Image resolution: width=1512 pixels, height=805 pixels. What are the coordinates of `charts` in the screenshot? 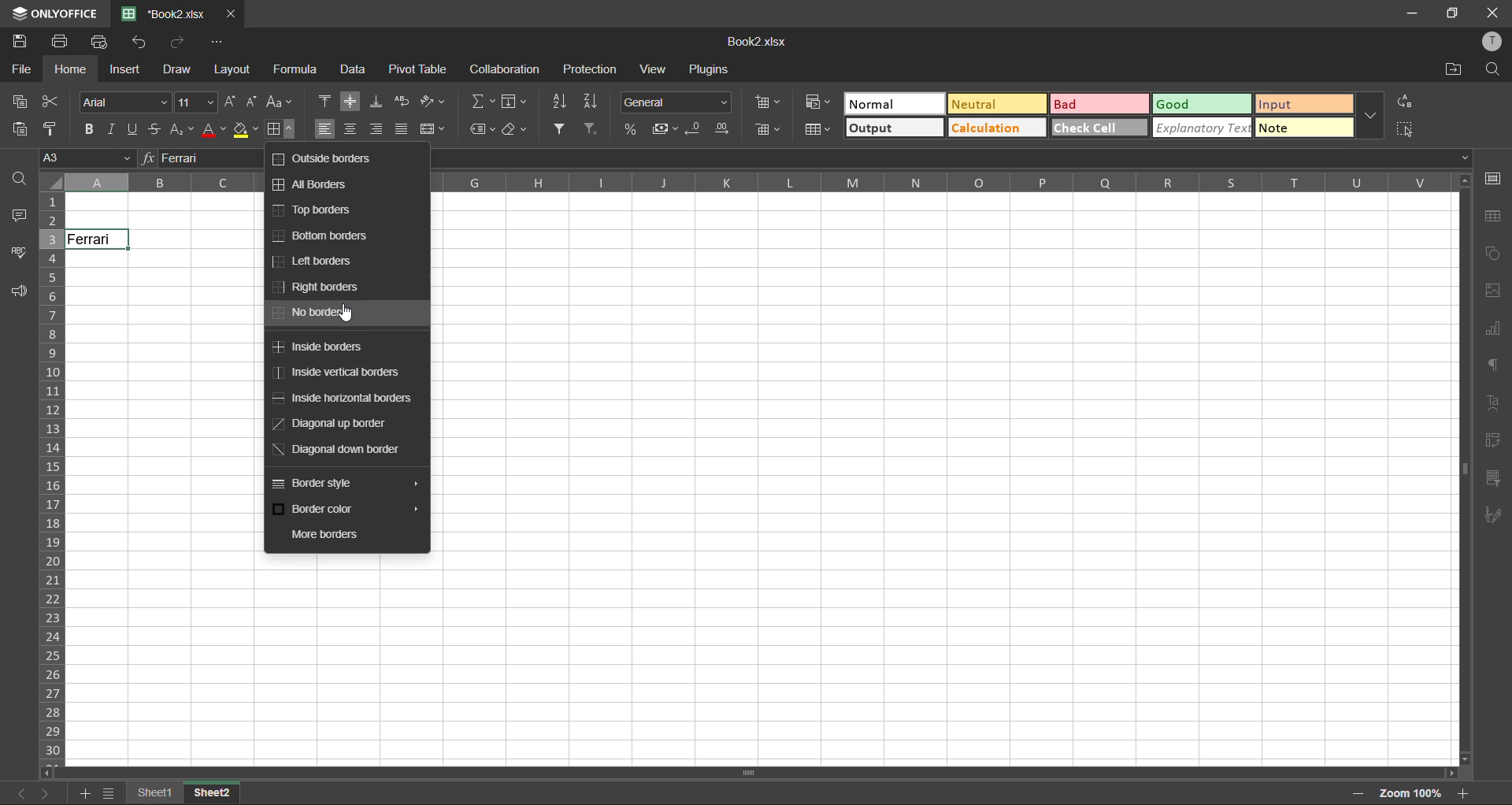 It's located at (1492, 329).